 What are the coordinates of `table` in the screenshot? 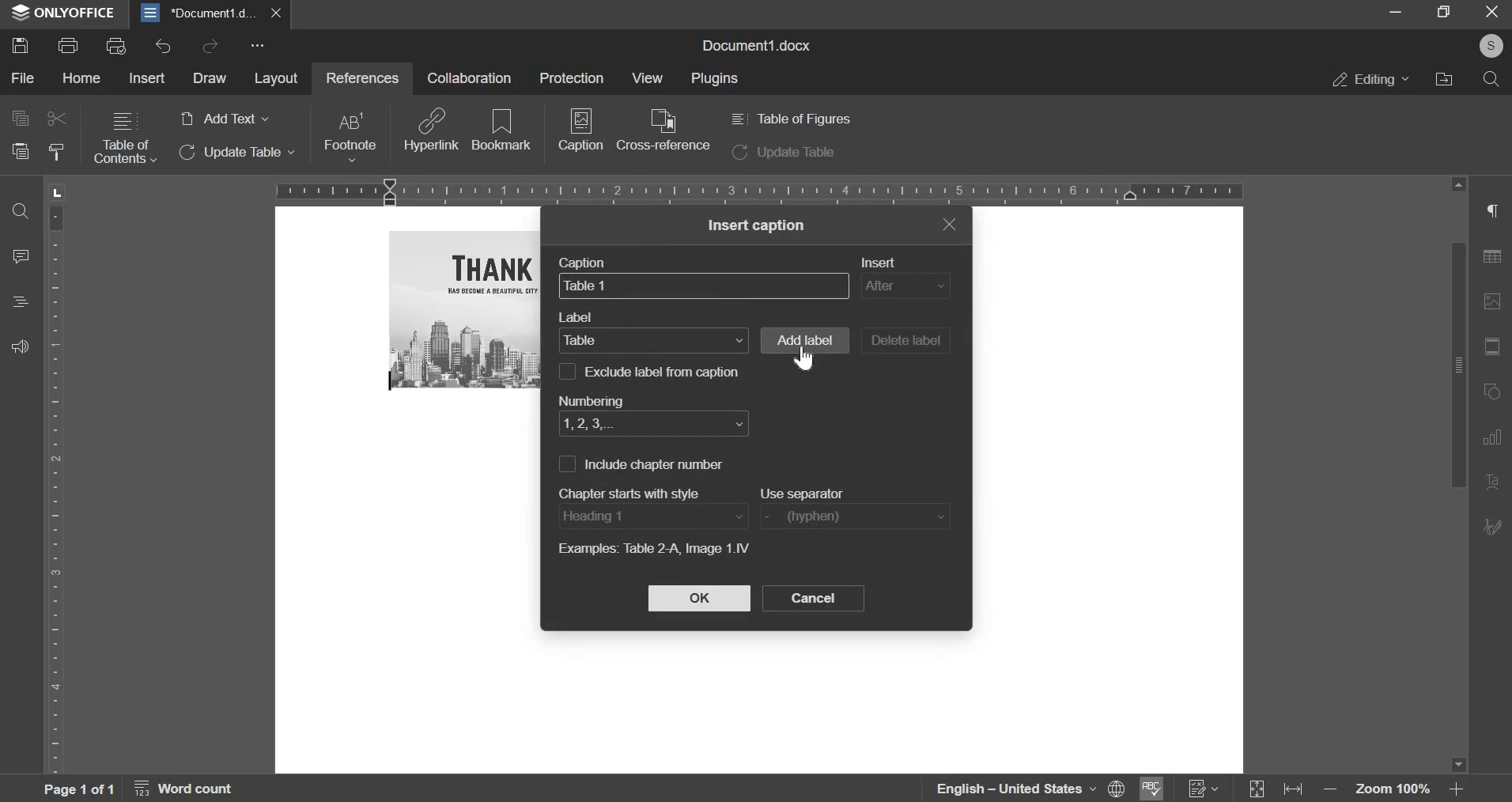 It's located at (1497, 260).